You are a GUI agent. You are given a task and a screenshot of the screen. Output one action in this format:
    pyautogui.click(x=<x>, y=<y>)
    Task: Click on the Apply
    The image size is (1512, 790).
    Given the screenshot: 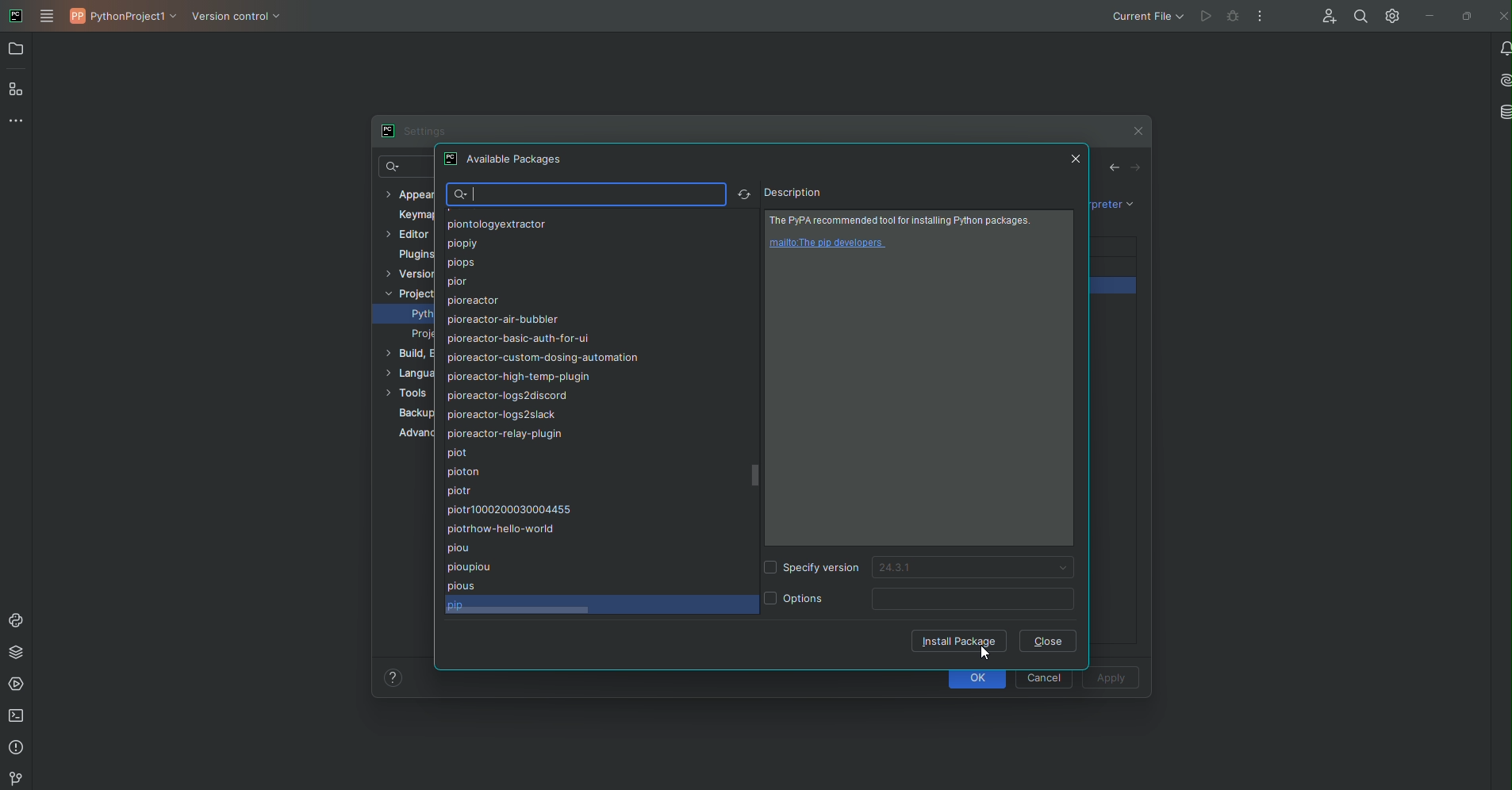 What is the action you would take?
    pyautogui.click(x=1111, y=679)
    